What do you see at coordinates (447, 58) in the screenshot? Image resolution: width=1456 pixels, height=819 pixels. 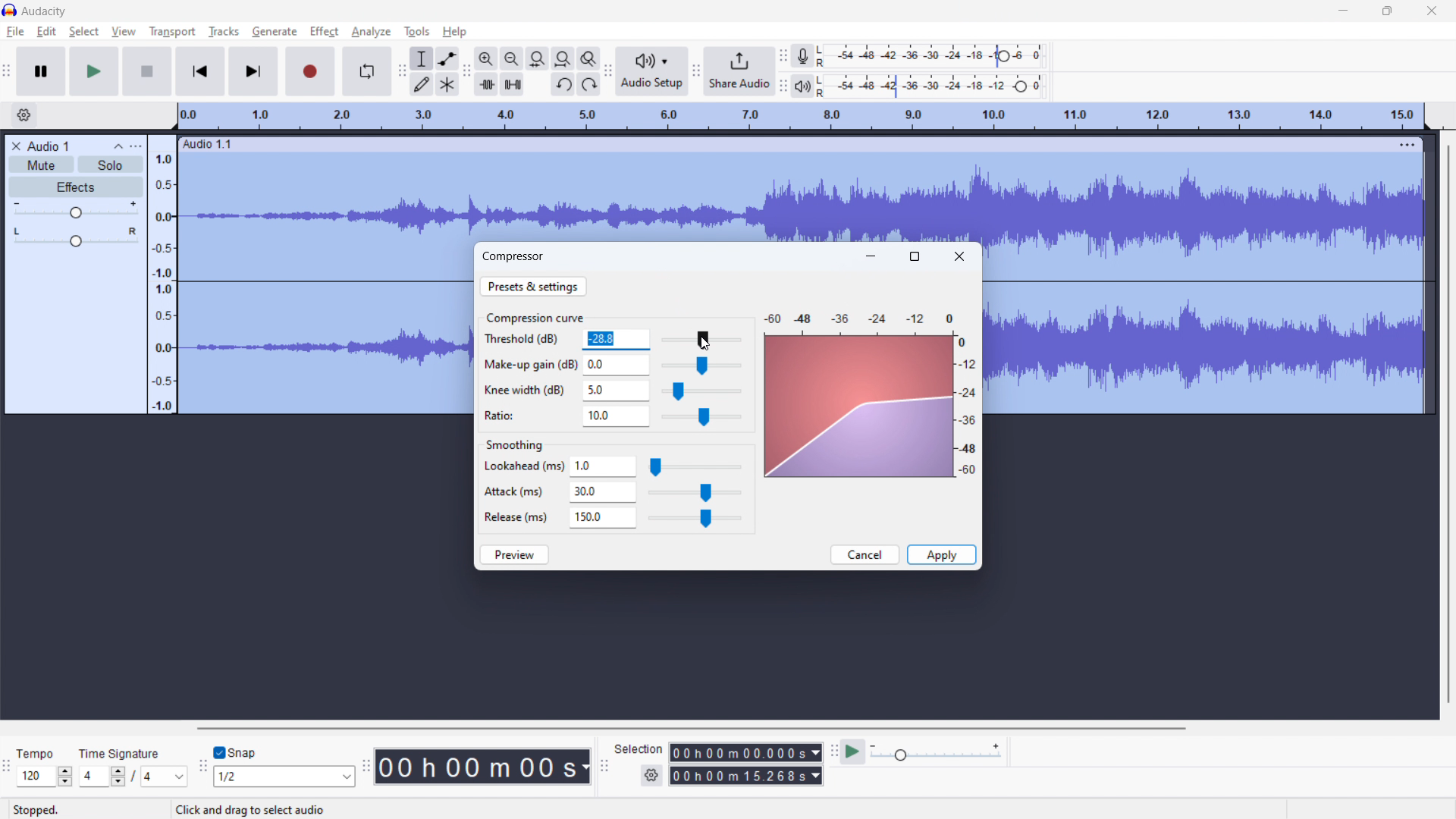 I see `envelop tool` at bounding box center [447, 58].